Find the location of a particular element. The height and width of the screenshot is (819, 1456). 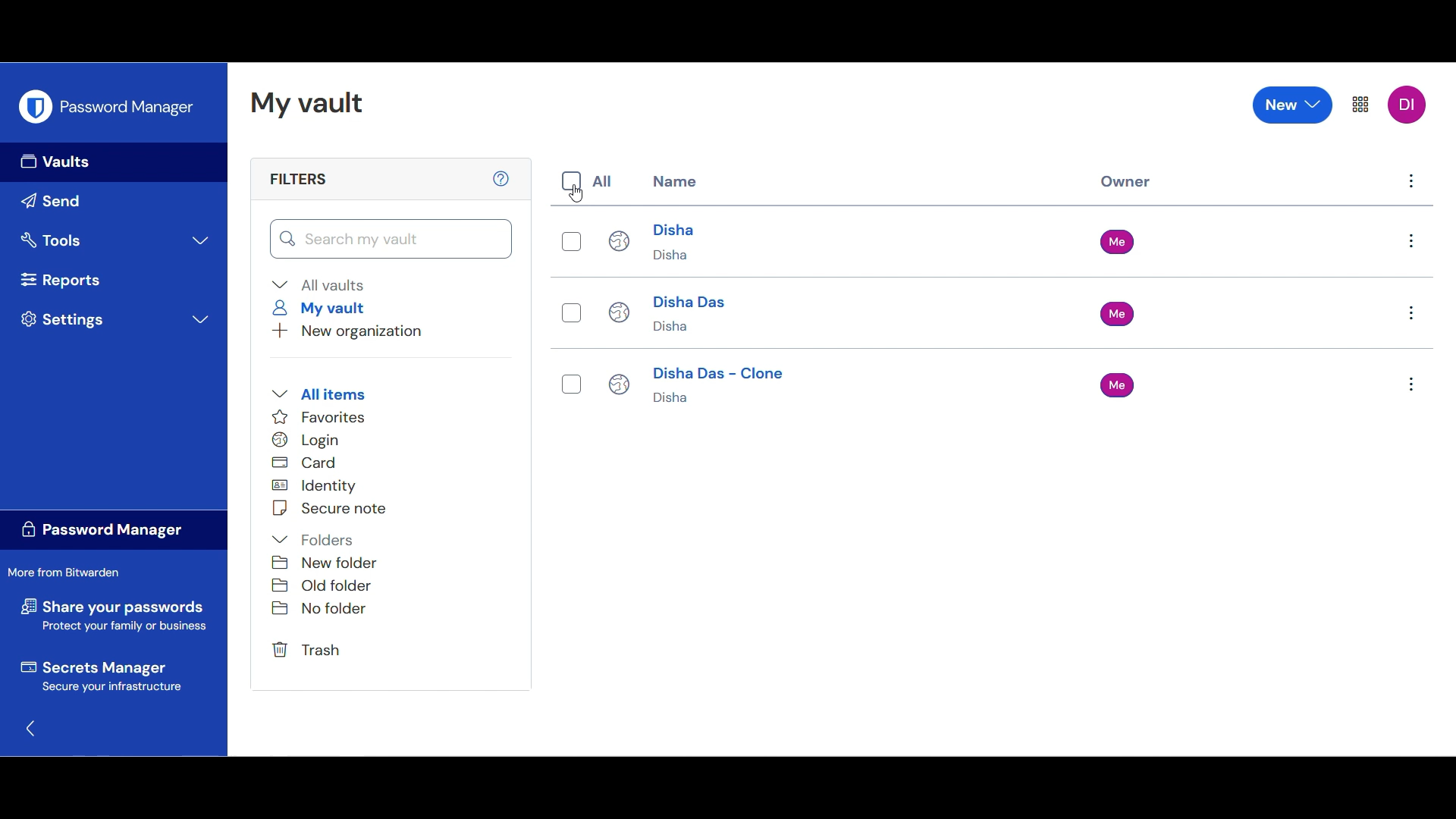

Owner column is located at coordinates (1126, 183).